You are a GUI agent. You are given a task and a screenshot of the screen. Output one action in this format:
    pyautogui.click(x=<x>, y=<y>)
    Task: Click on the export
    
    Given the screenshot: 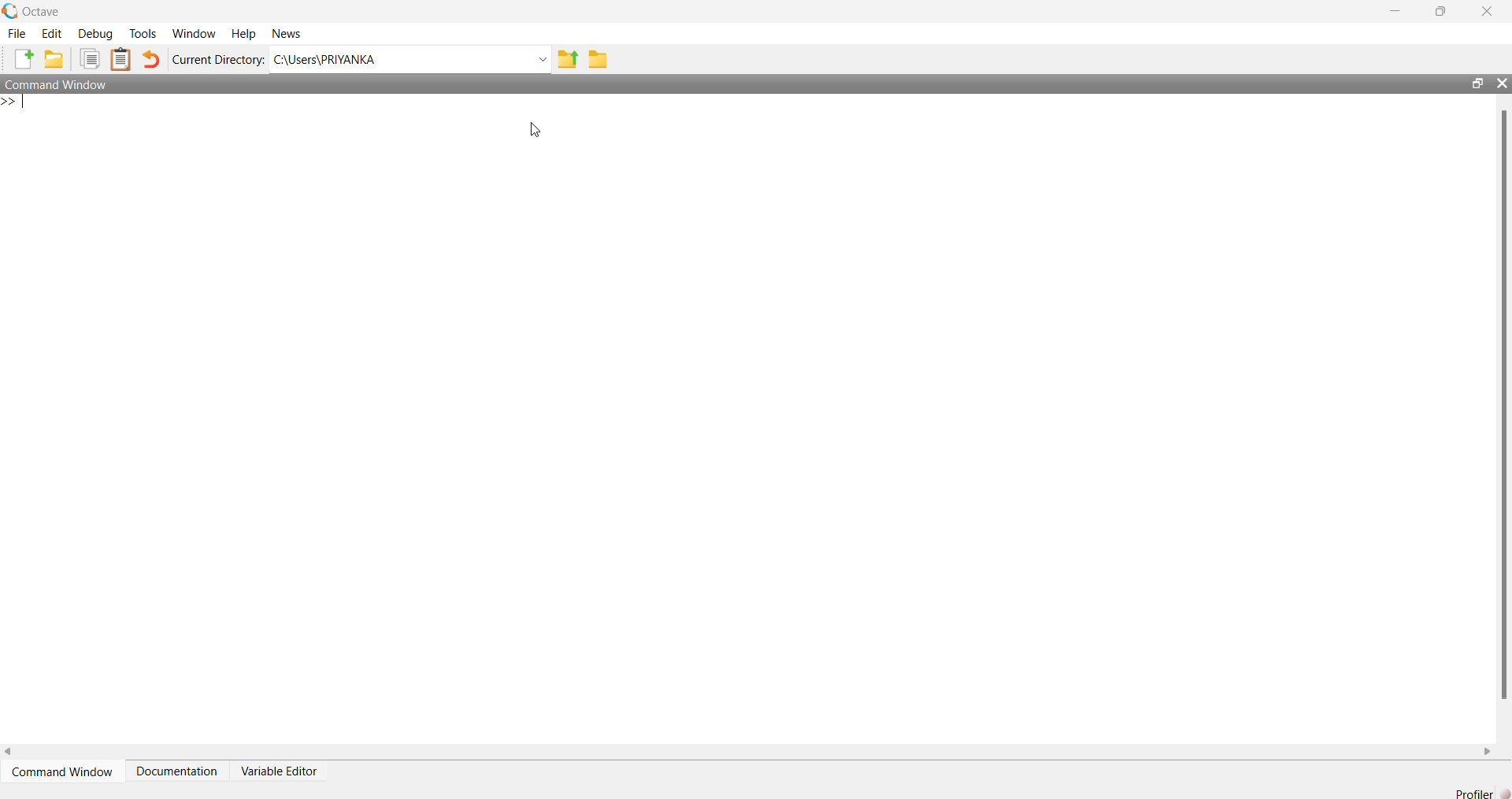 What is the action you would take?
    pyautogui.click(x=569, y=61)
    